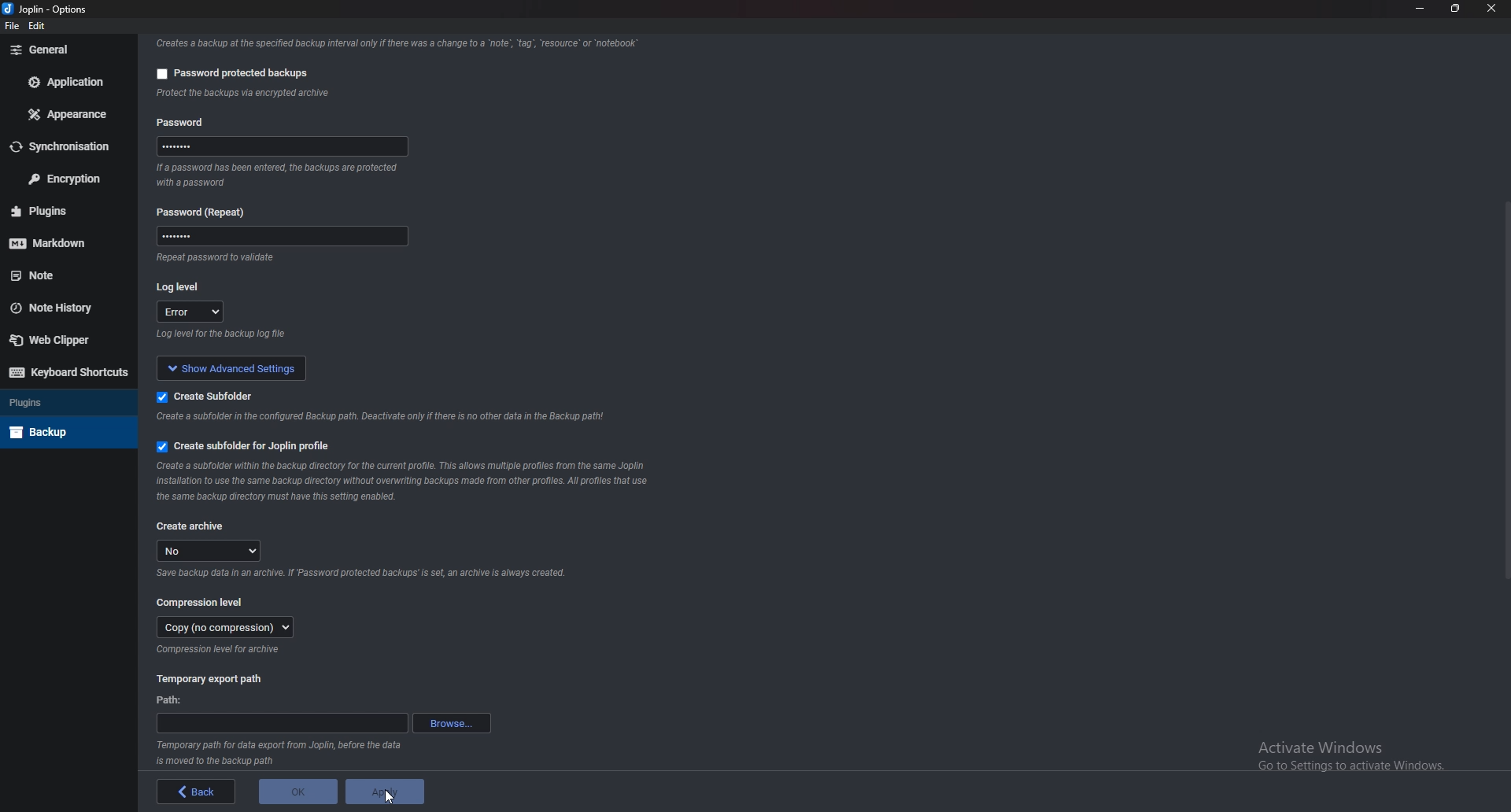 The width and height of the screenshot is (1511, 812). I want to click on password, so click(277, 238).